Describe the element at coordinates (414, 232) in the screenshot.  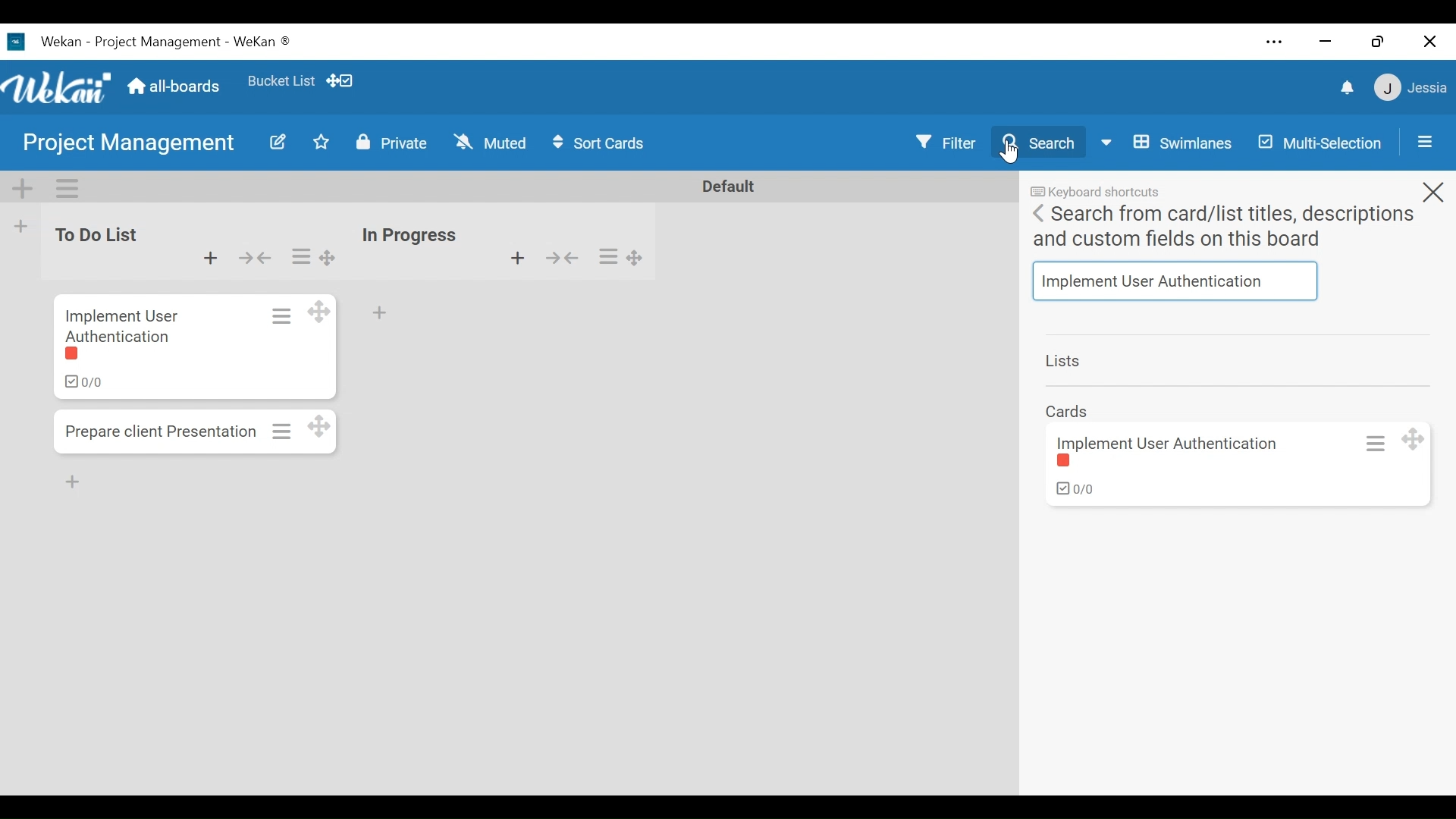
I see `in progress` at that location.